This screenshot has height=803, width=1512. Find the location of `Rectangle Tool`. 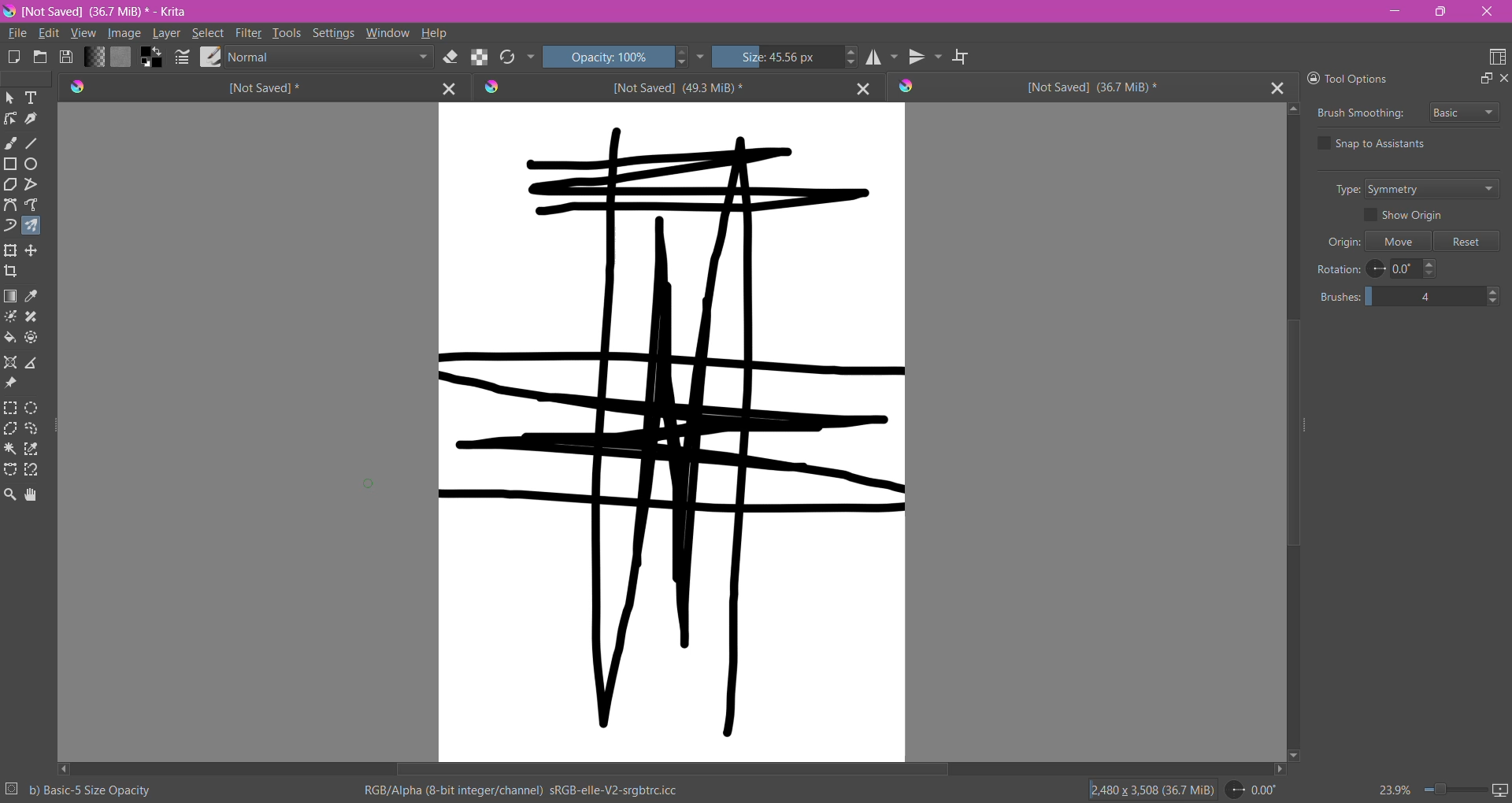

Rectangle Tool is located at coordinates (11, 164).